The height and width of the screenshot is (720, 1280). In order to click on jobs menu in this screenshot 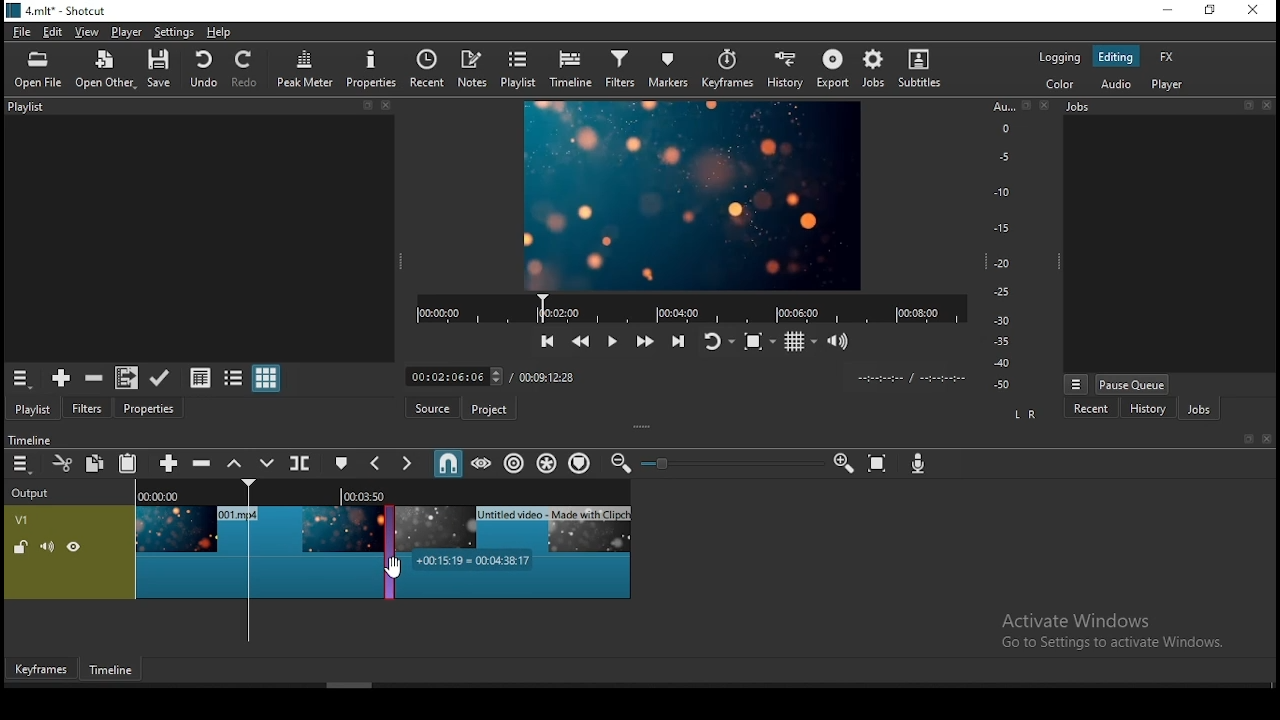, I will do `click(1076, 385)`.